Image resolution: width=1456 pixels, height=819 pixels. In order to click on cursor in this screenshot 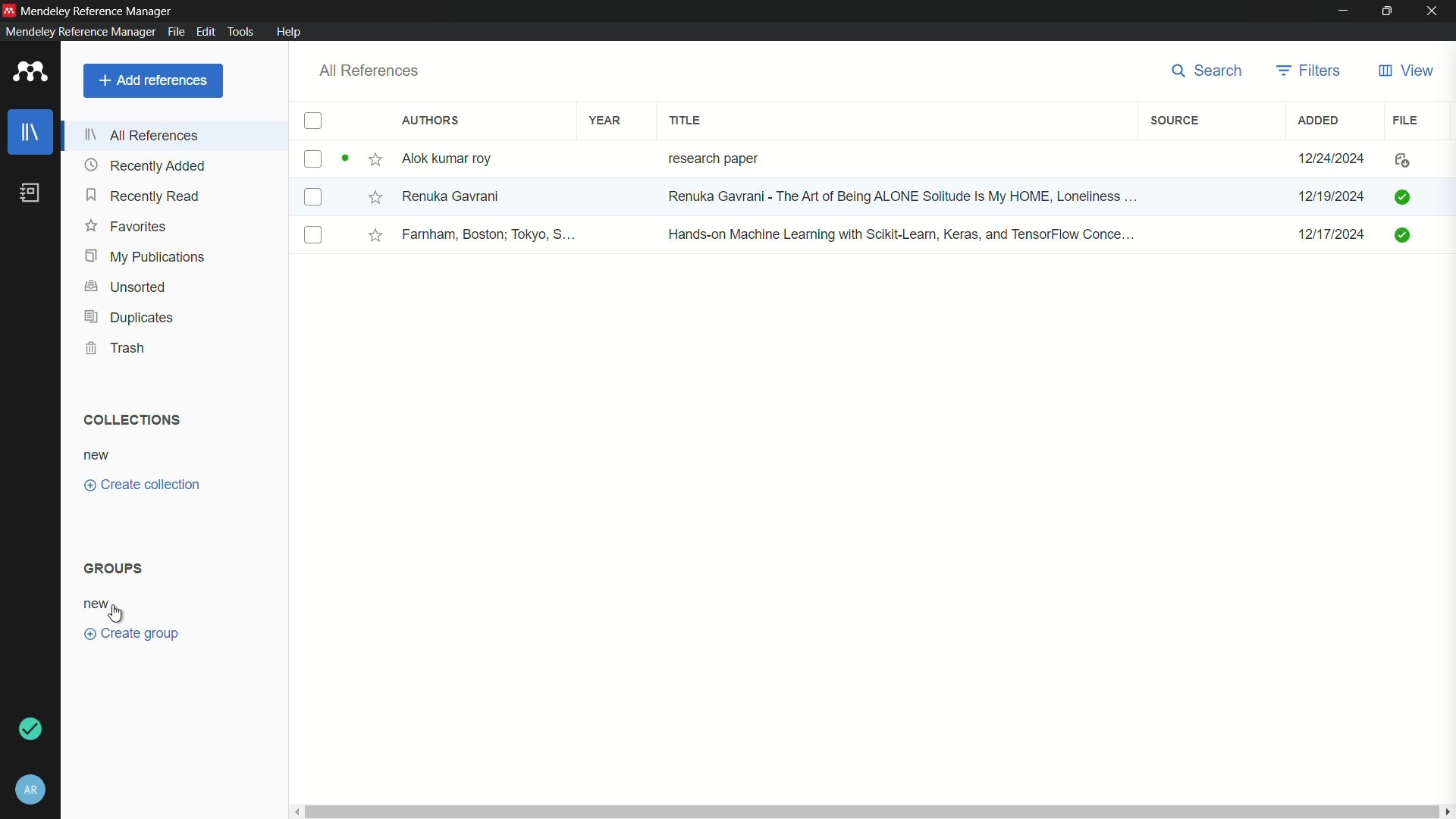, I will do `click(112, 613)`.